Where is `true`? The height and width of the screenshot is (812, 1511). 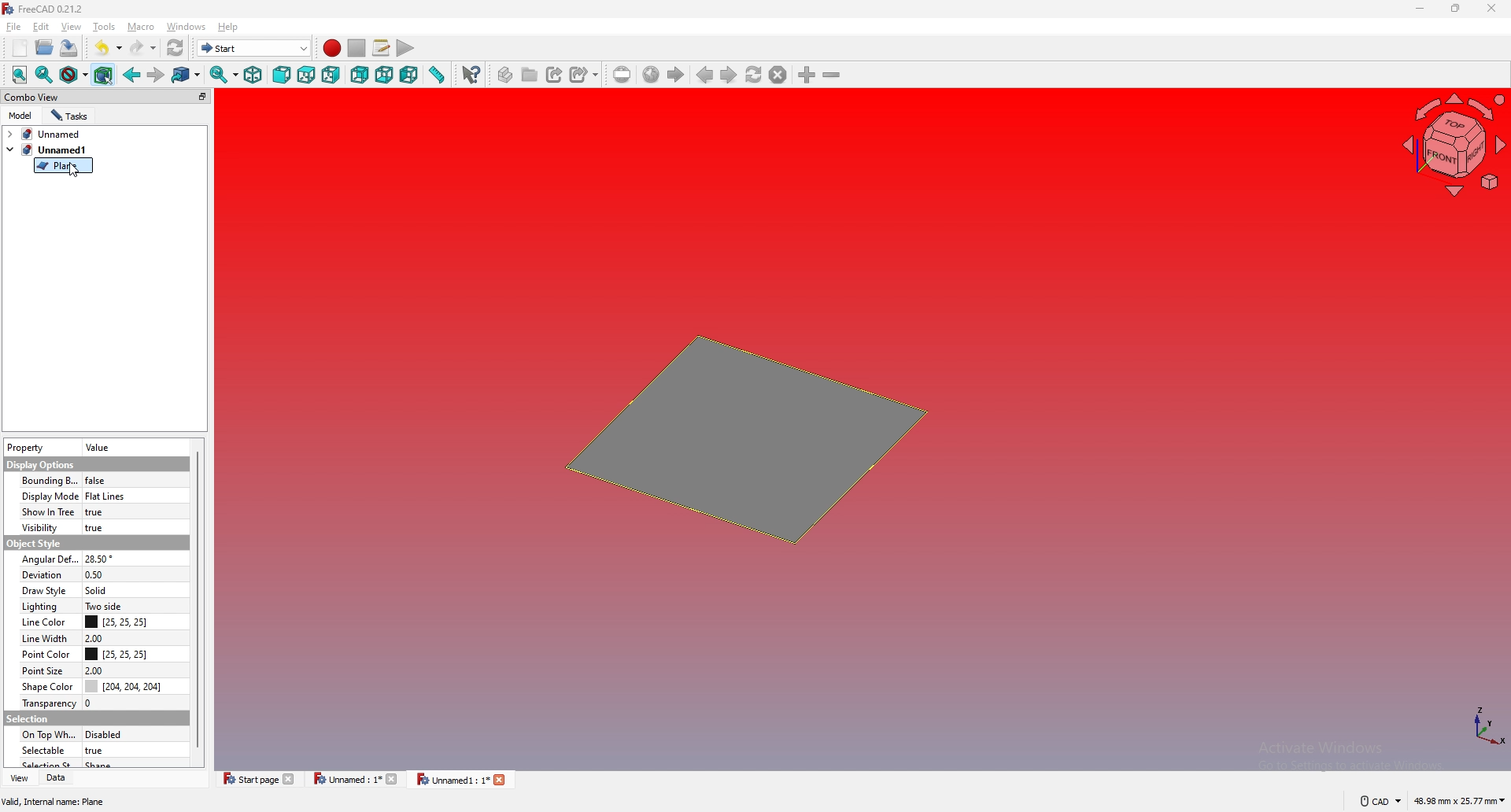
true is located at coordinates (95, 527).